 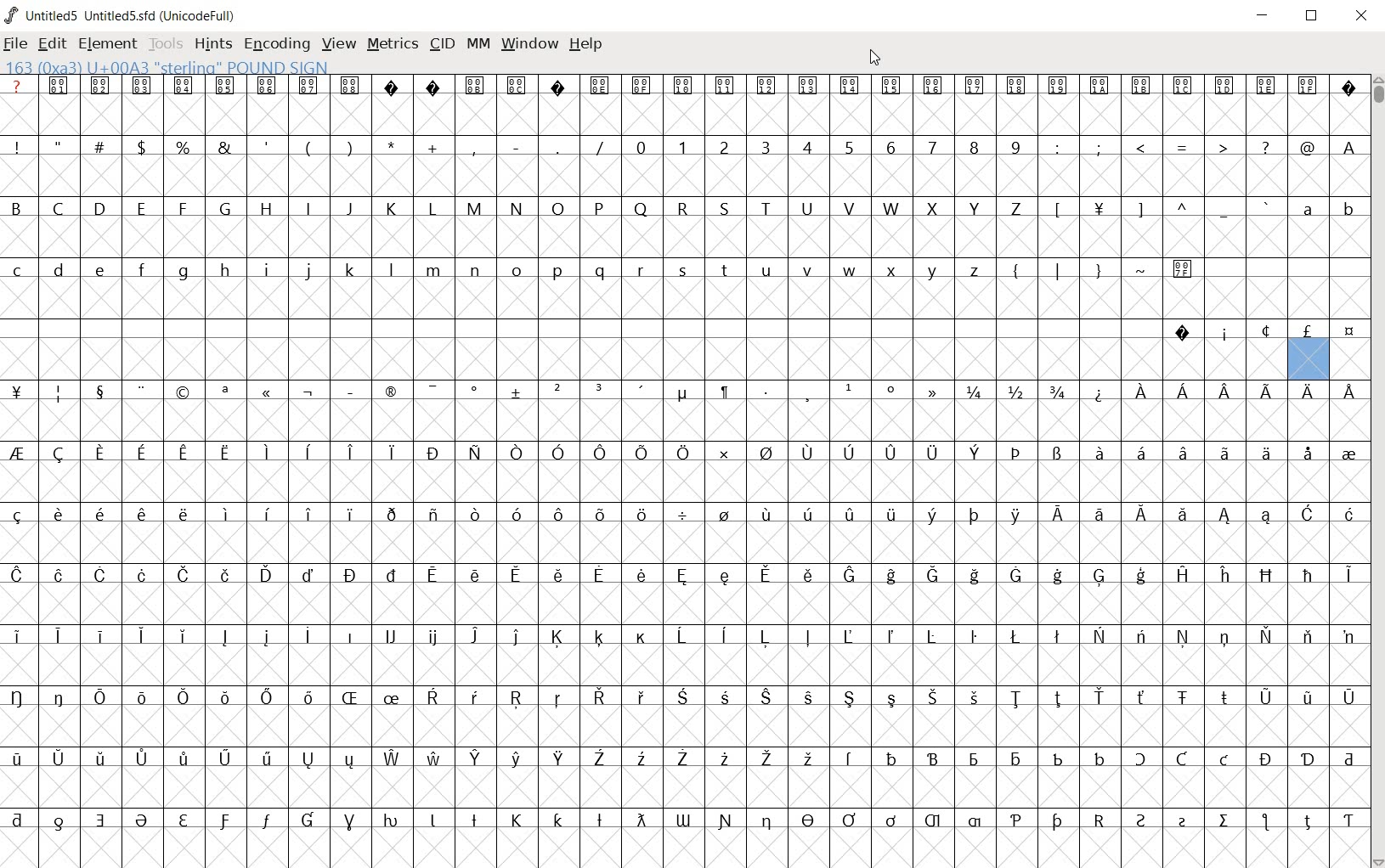 I want to click on B, so click(x=22, y=206).